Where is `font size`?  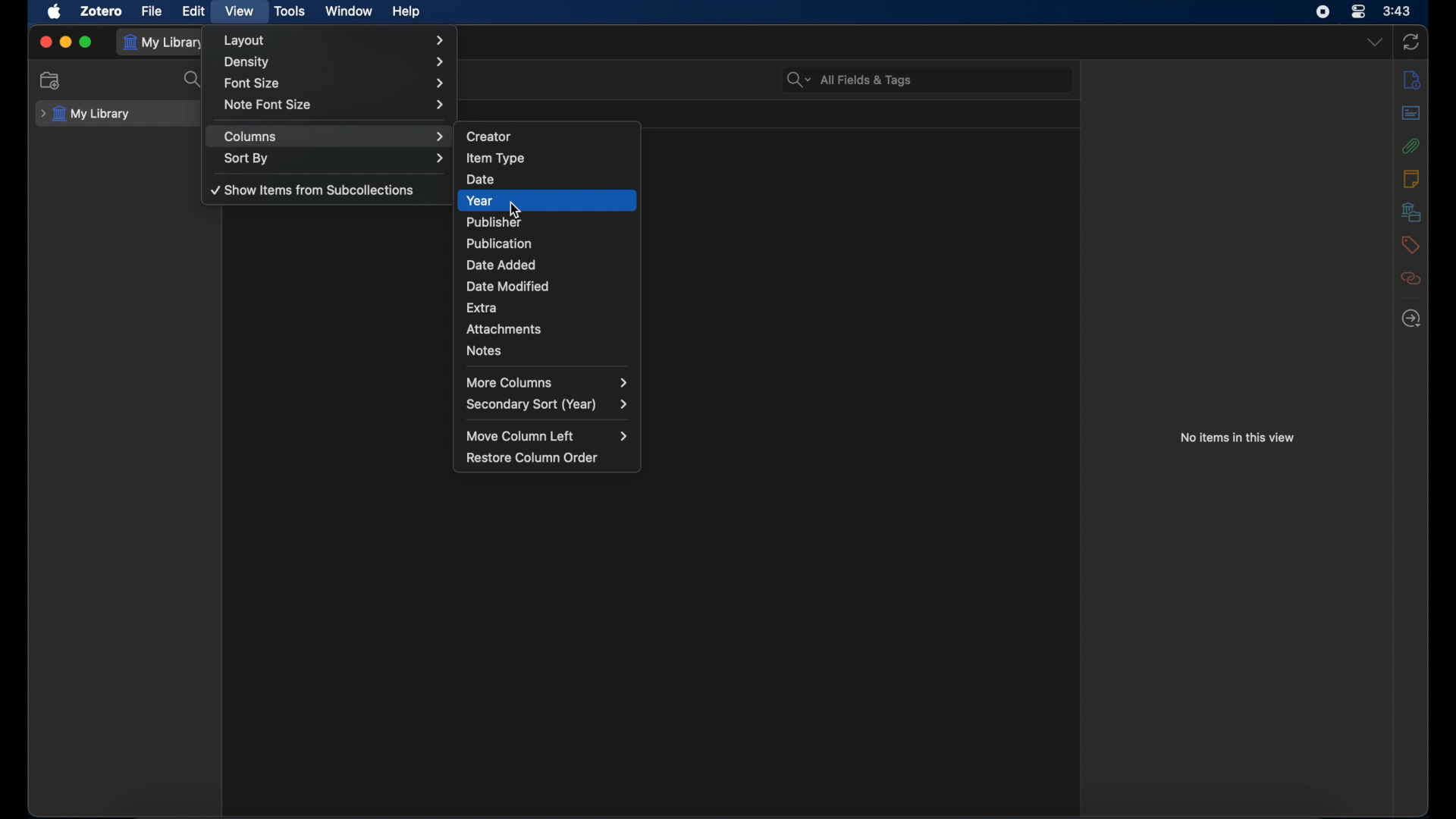
font size is located at coordinates (334, 82).